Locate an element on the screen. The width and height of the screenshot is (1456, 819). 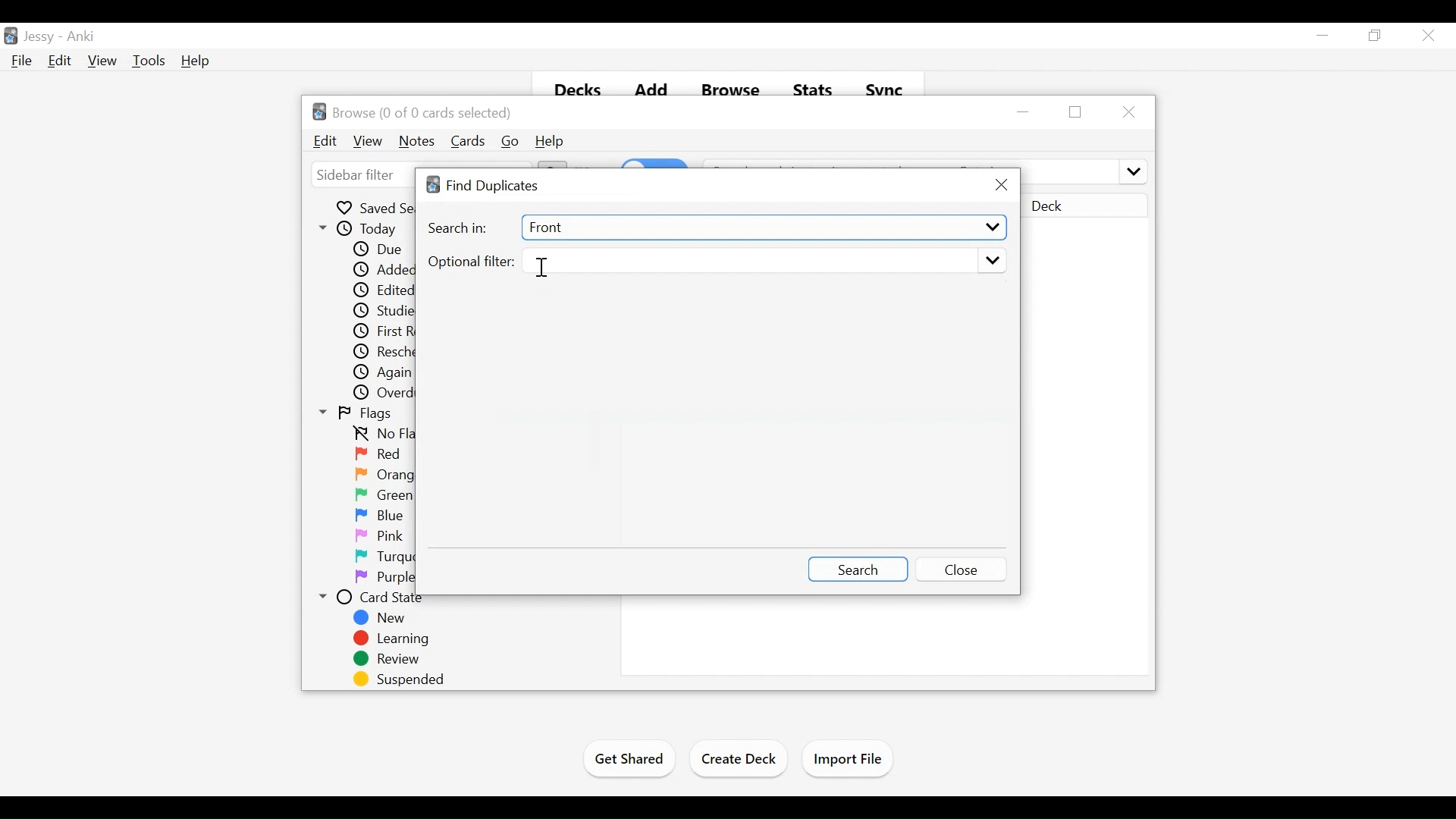
Card State is located at coordinates (377, 598).